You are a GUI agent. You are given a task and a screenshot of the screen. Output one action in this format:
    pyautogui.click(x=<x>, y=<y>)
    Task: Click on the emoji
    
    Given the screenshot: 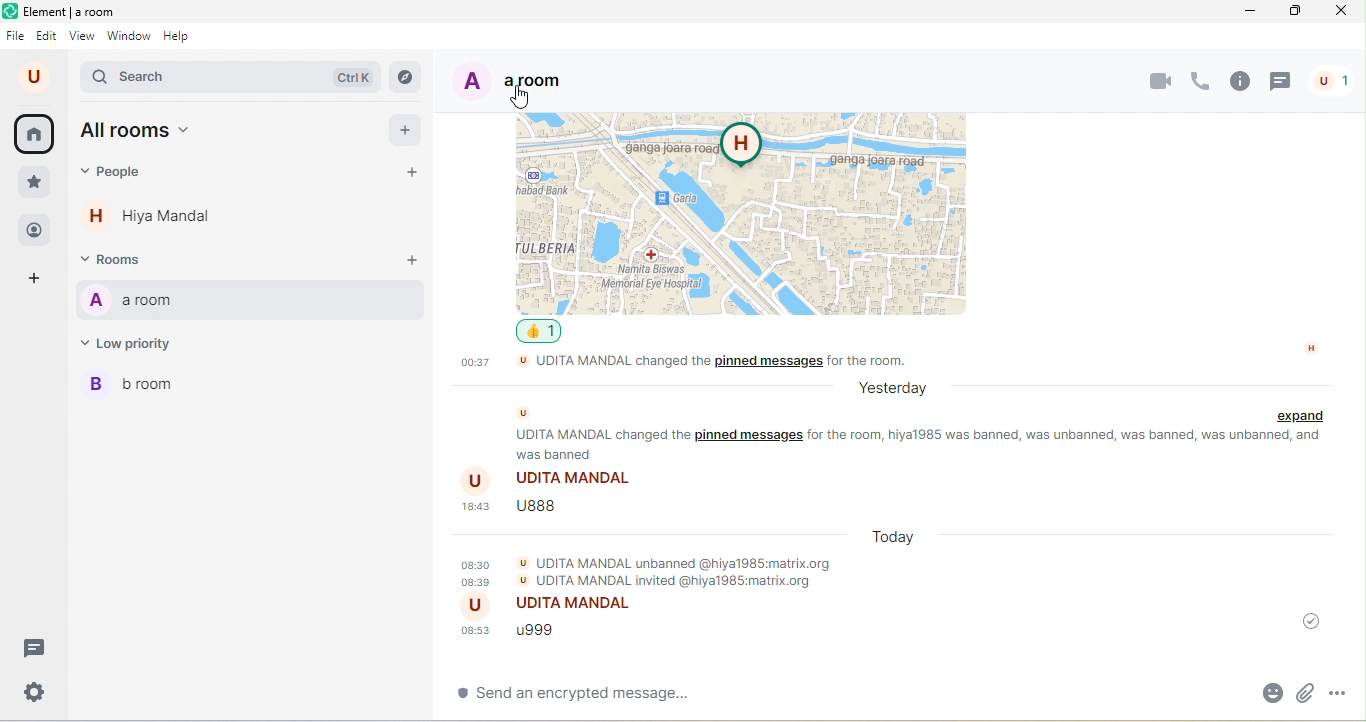 What is the action you would take?
    pyautogui.click(x=1273, y=695)
    